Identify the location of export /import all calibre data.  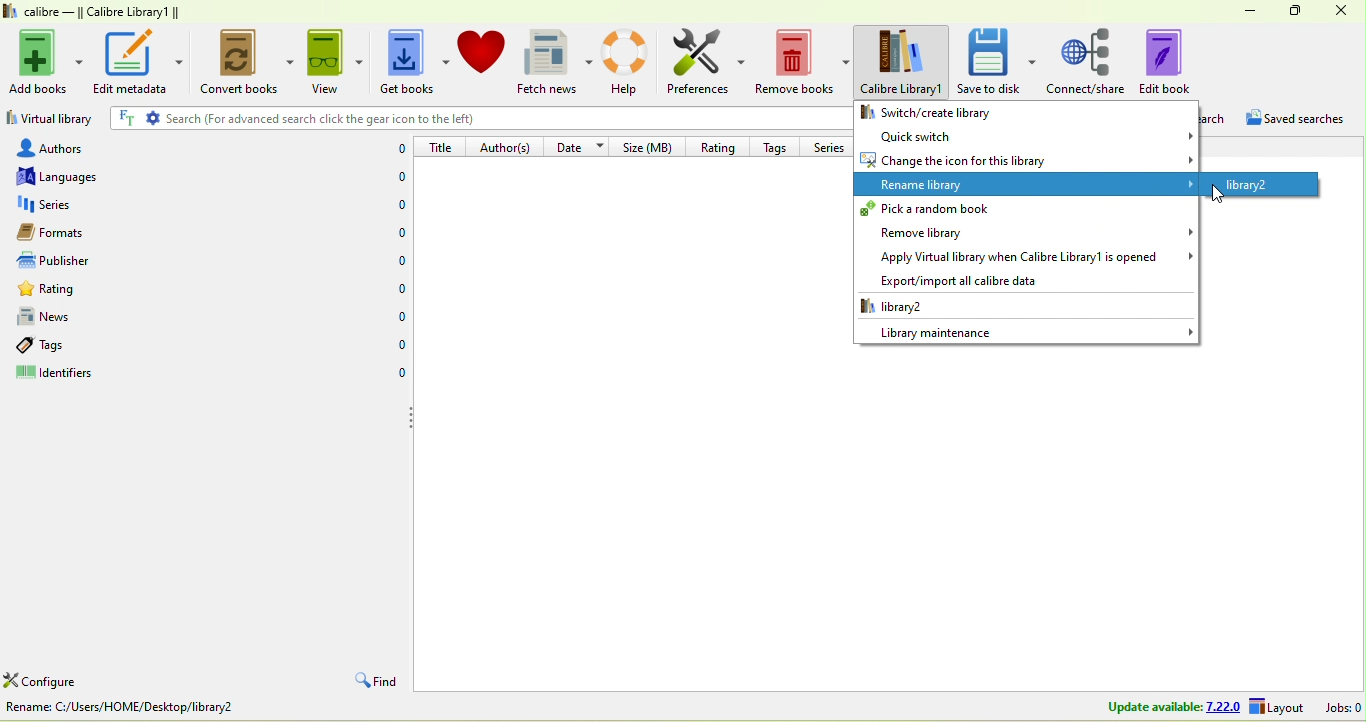
(952, 281).